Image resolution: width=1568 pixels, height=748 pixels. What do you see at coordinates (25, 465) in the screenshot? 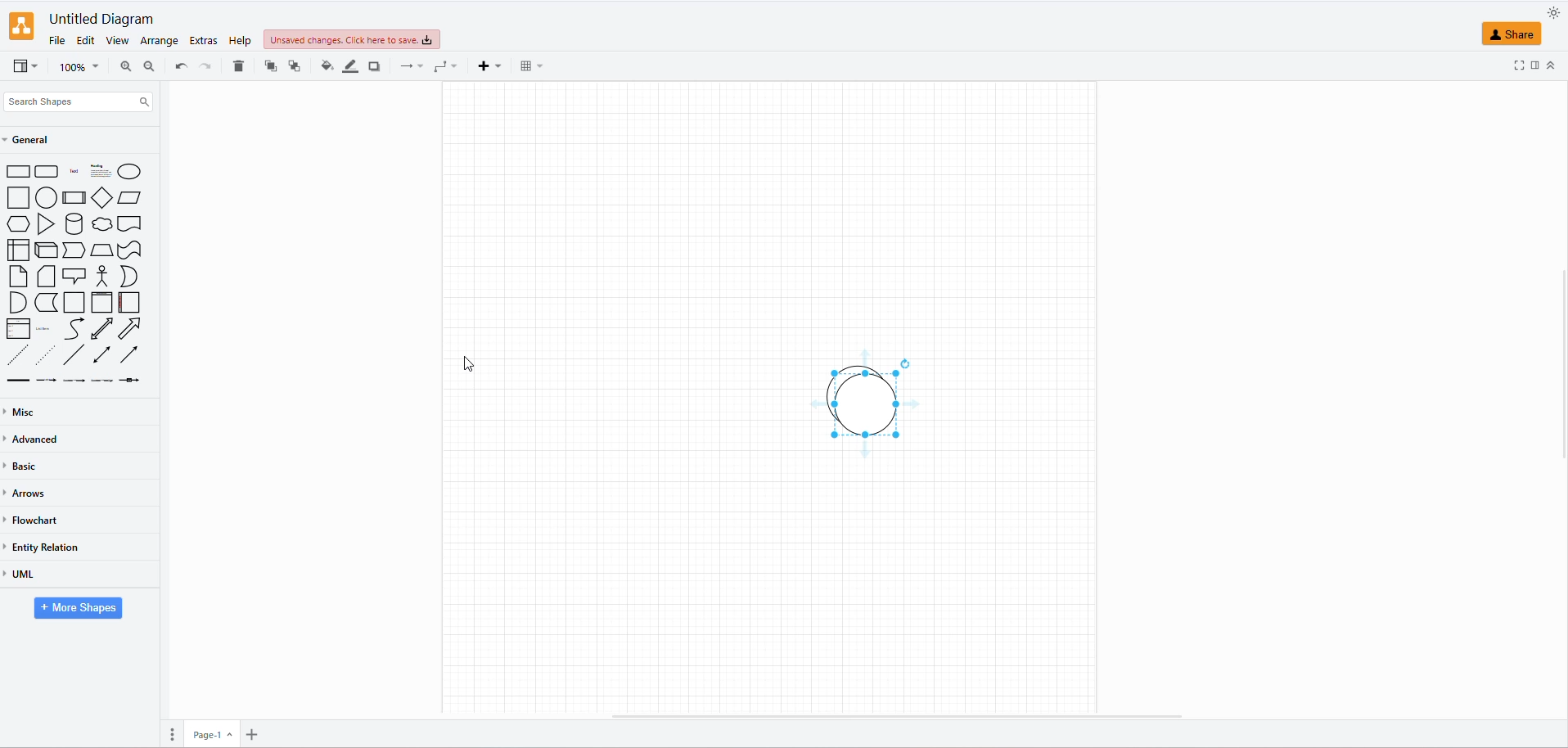
I see `BASIC` at bounding box center [25, 465].